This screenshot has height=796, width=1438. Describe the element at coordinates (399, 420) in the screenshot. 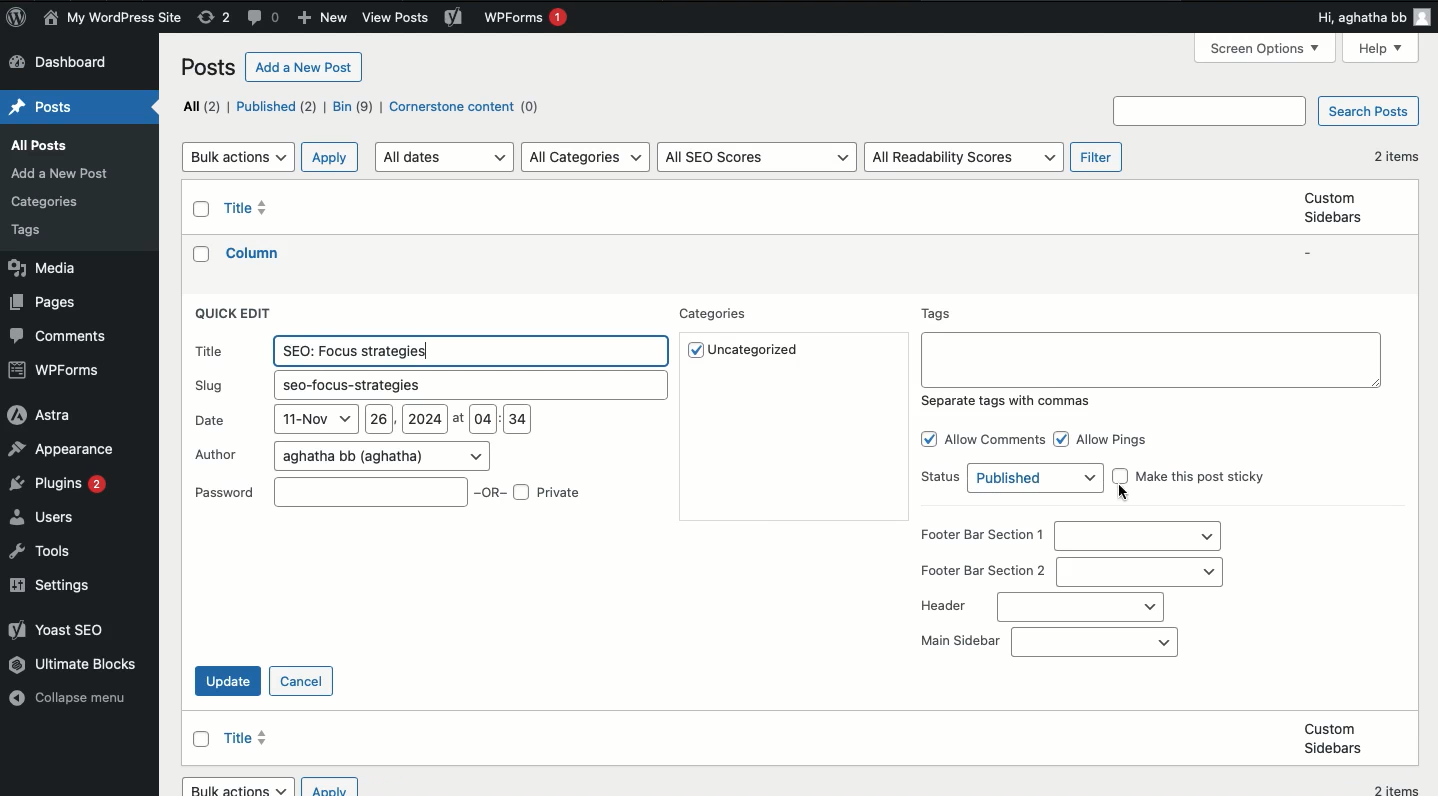

I see `Date` at that location.